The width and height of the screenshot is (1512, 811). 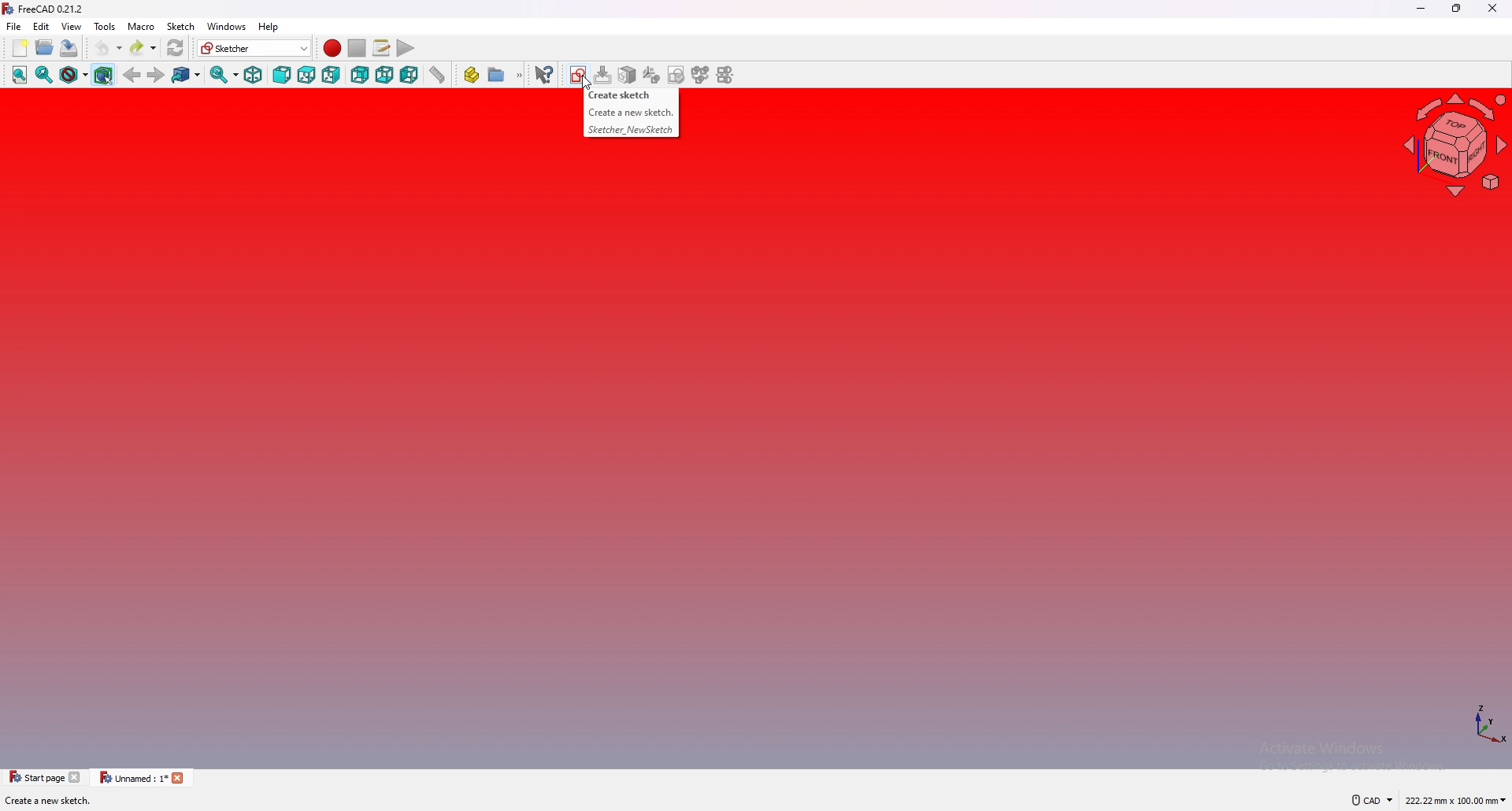 What do you see at coordinates (132, 74) in the screenshot?
I see `back` at bounding box center [132, 74].